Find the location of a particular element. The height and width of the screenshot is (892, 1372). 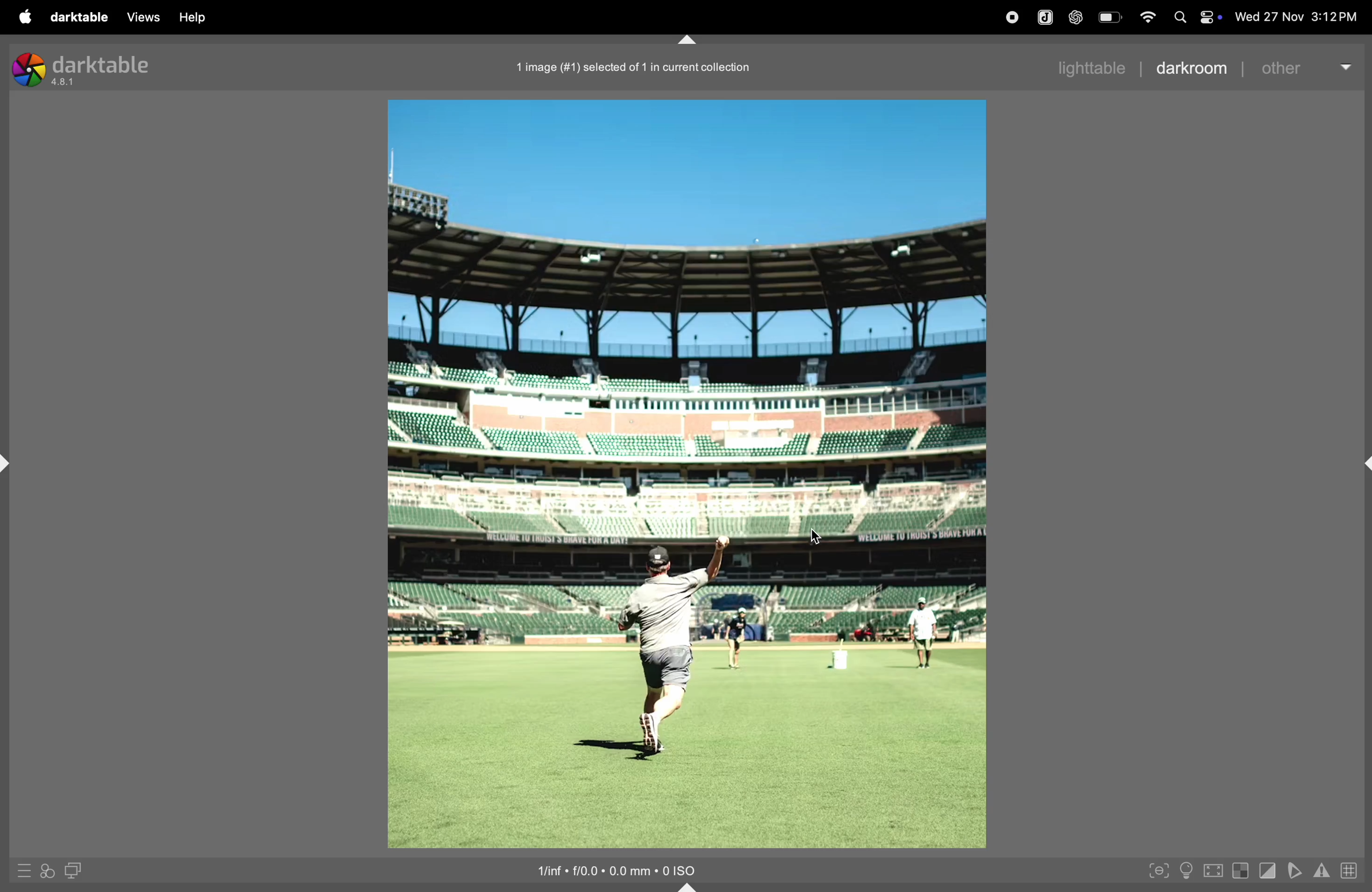

apple widgets is located at coordinates (1196, 16).